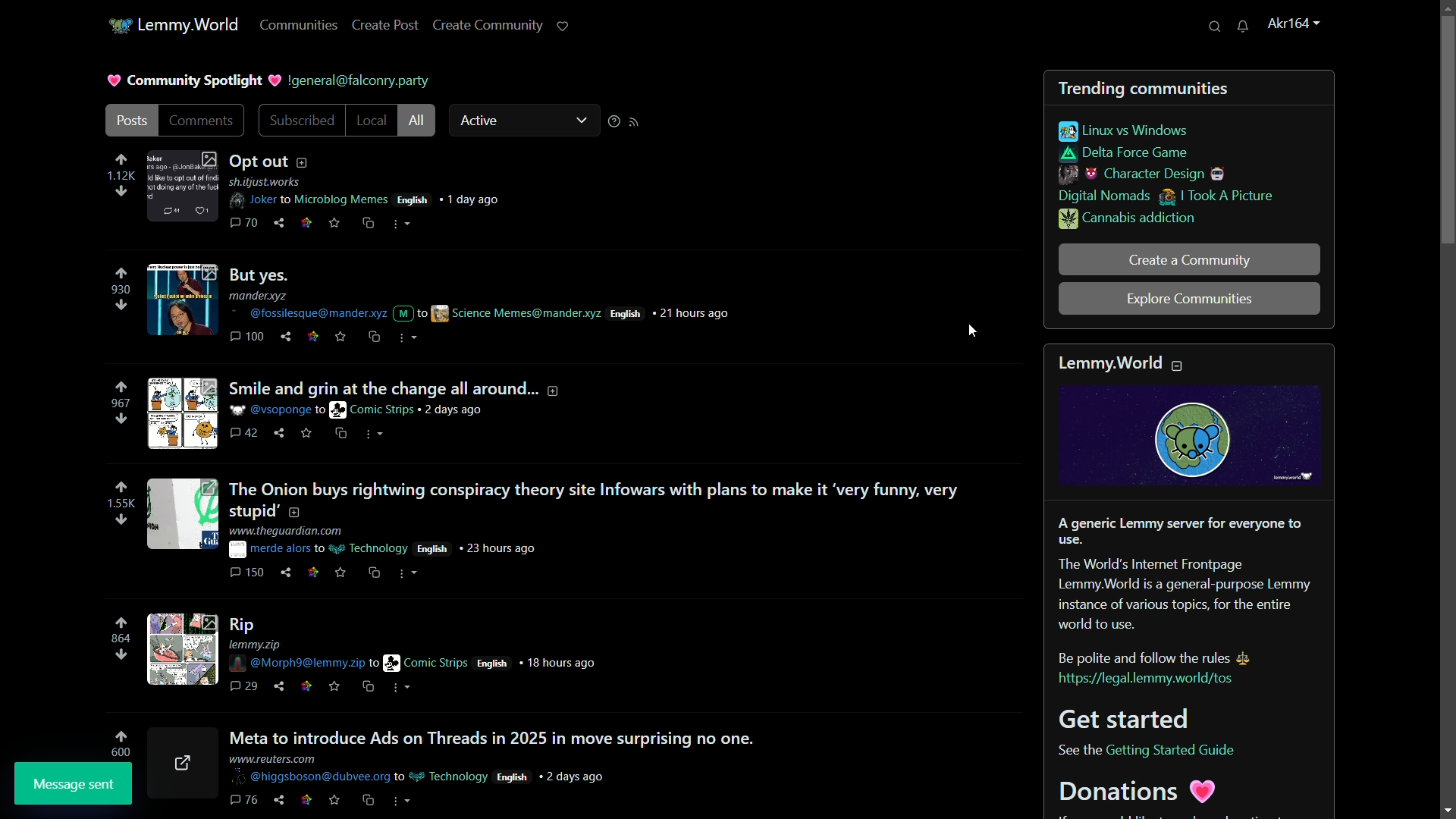  Describe the element at coordinates (338, 334) in the screenshot. I see `save` at that location.